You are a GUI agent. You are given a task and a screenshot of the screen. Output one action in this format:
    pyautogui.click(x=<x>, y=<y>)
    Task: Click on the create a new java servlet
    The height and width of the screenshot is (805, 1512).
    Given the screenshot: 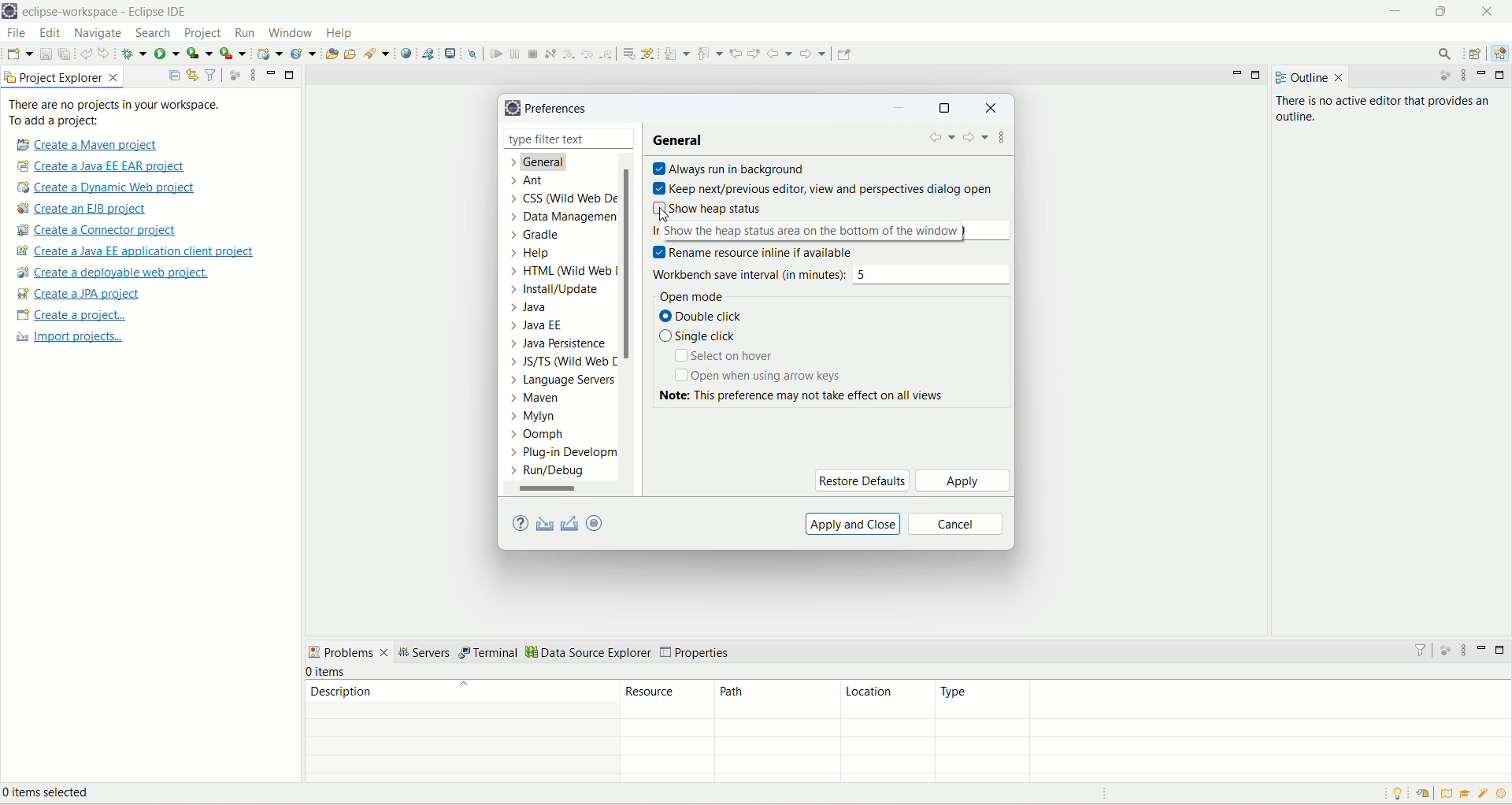 What is the action you would take?
    pyautogui.click(x=304, y=54)
    